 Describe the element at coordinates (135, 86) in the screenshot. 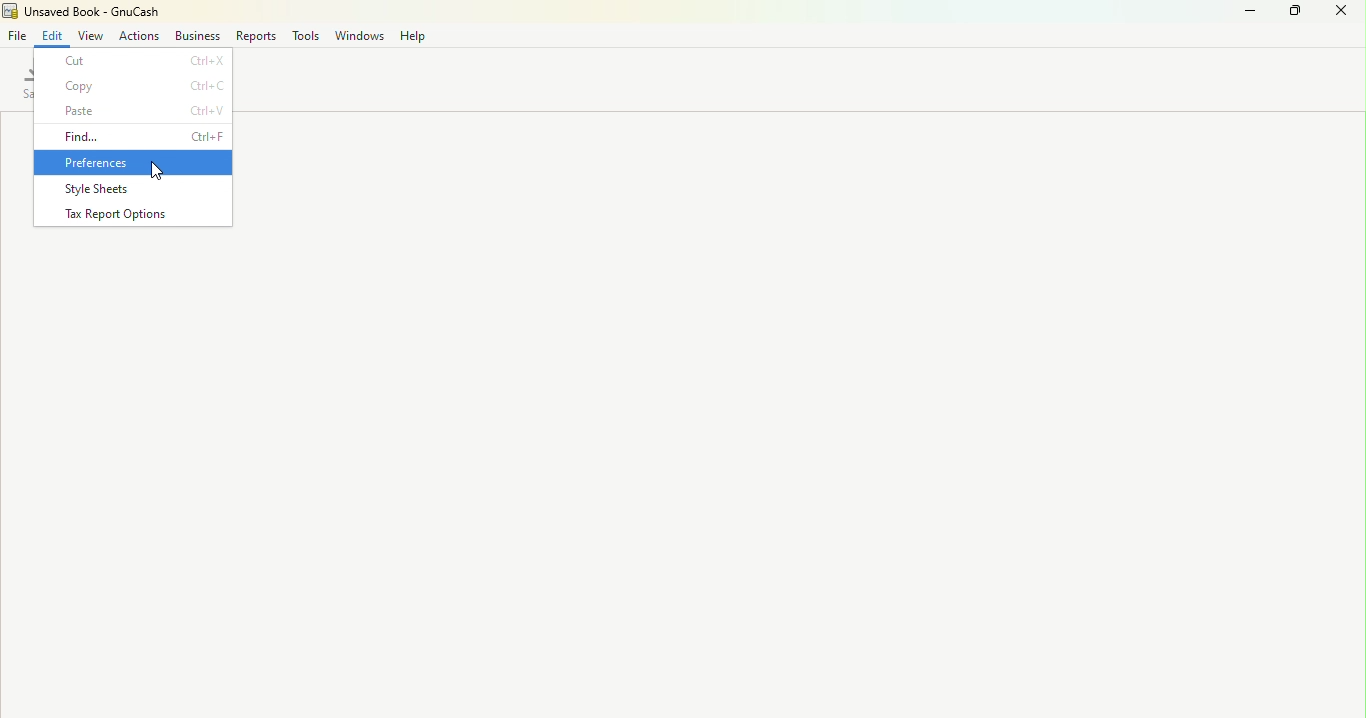

I see `Copy` at that location.